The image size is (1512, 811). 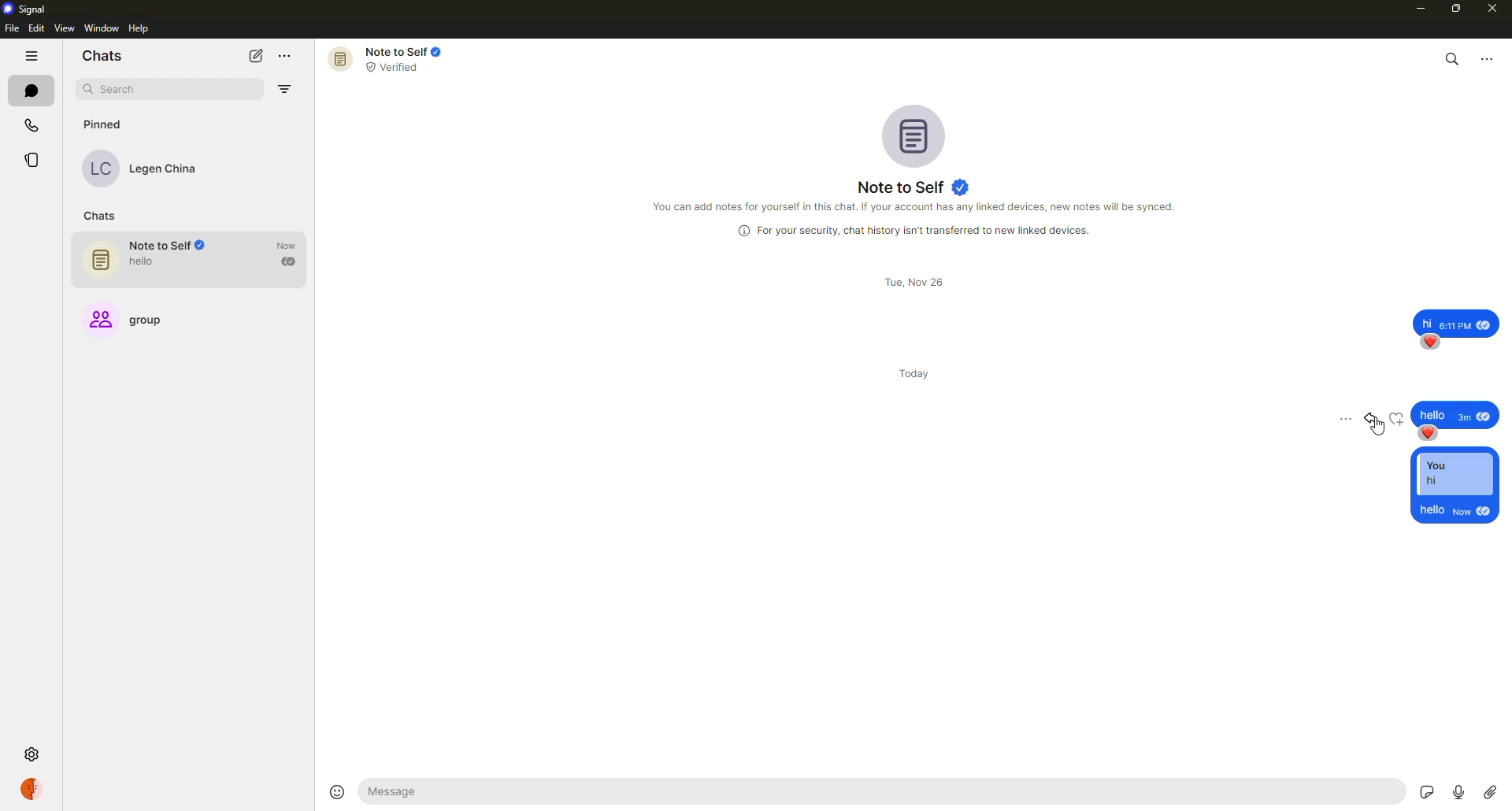 What do you see at coordinates (1454, 791) in the screenshot?
I see `record` at bounding box center [1454, 791].